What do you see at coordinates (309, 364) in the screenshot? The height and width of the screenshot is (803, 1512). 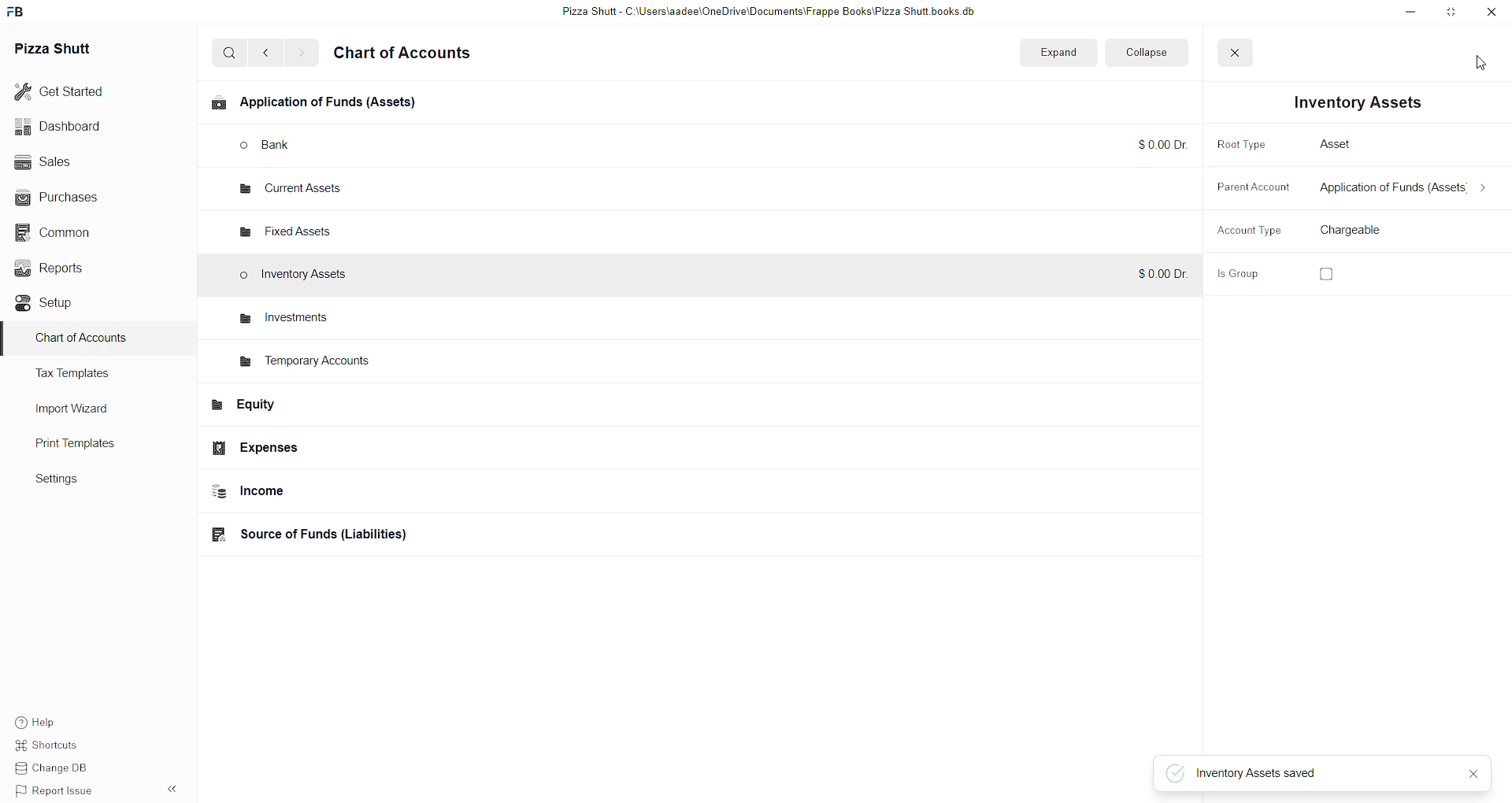 I see `Temporary Accounts ` at bounding box center [309, 364].